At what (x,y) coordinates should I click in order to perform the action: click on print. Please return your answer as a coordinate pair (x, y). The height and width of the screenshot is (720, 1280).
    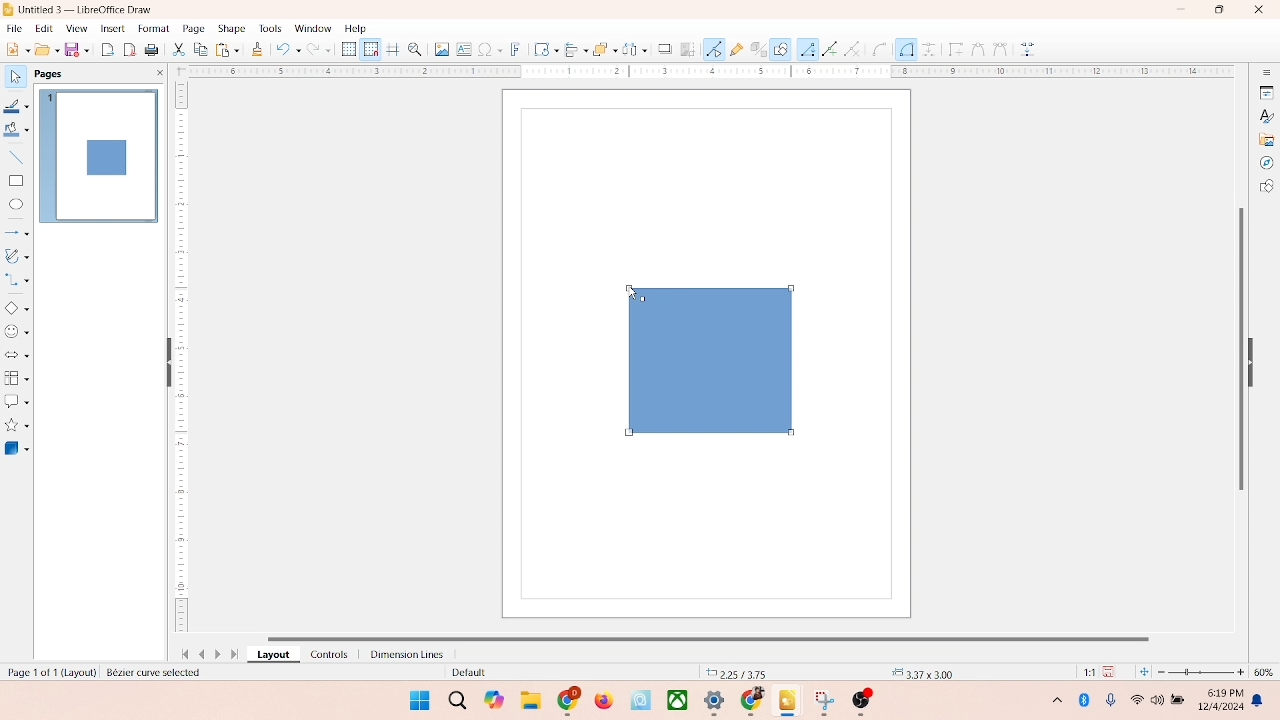
    Looking at the image, I should click on (226, 49).